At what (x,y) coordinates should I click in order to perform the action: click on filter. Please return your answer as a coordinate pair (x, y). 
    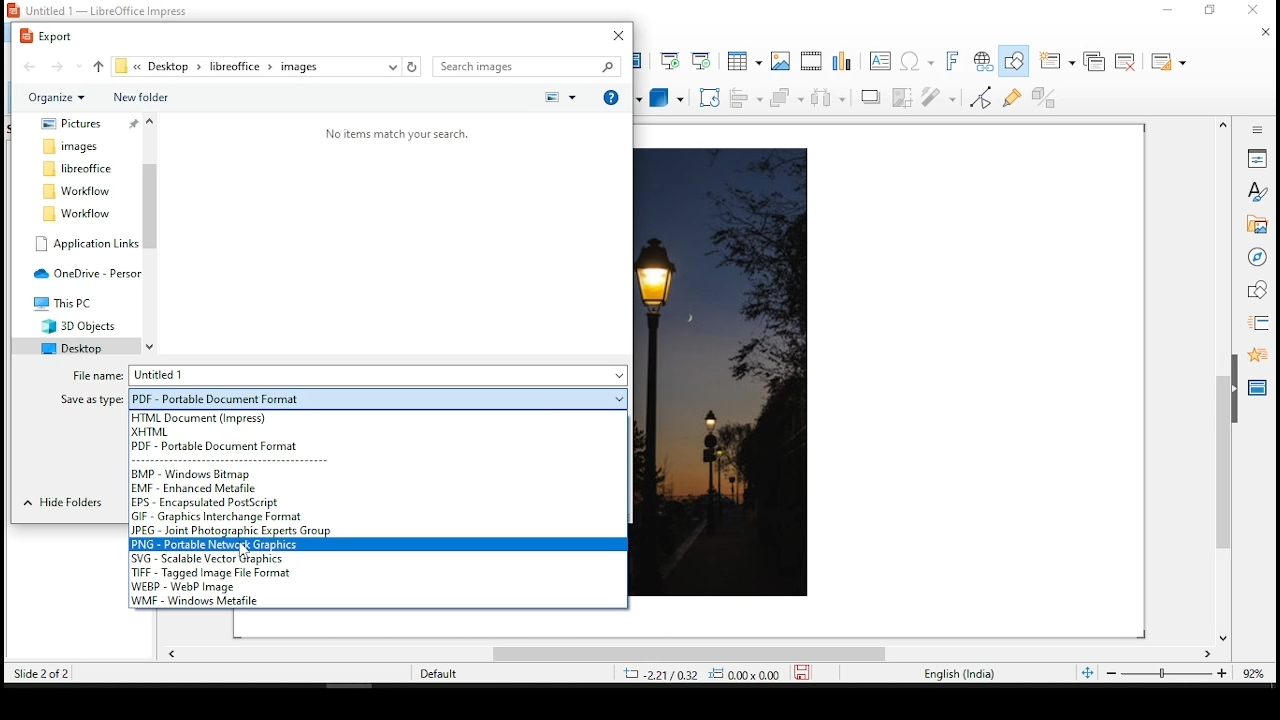
    Looking at the image, I should click on (937, 98).